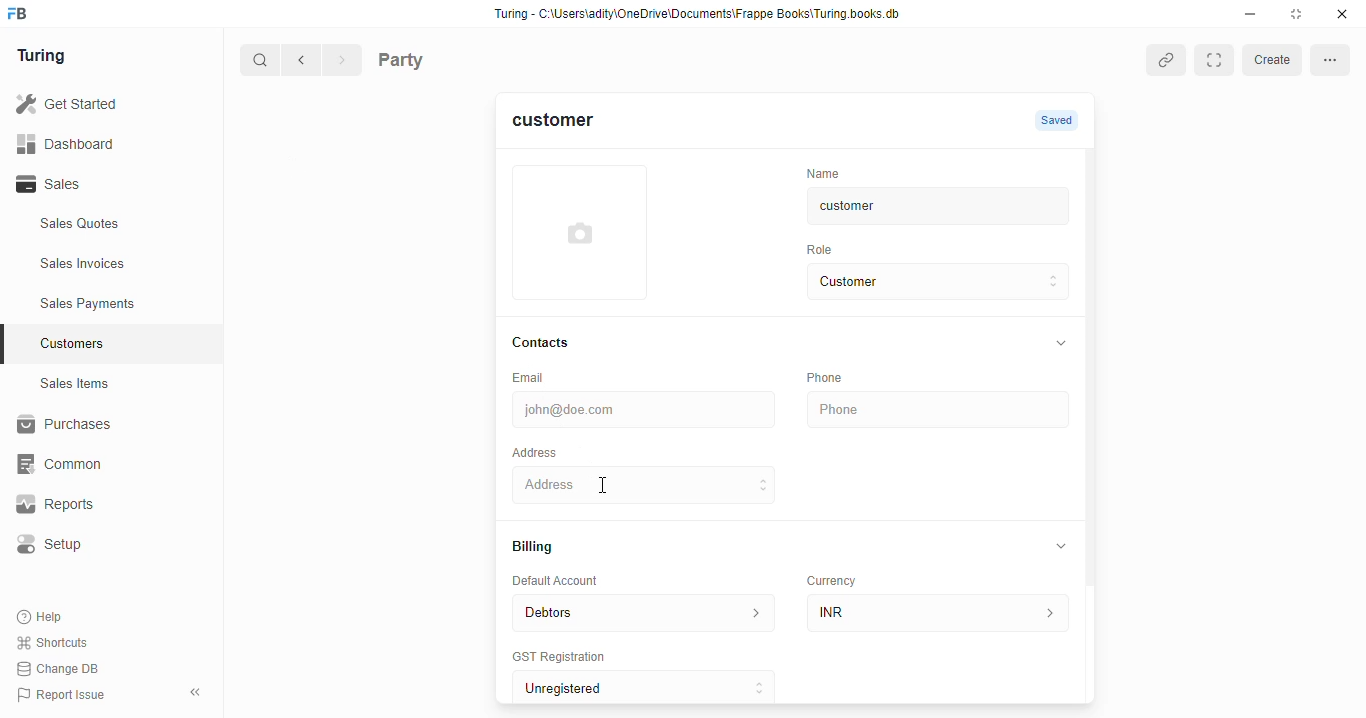 This screenshot has height=718, width=1366. Describe the element at coordinates (91, 505) in the screenshot. I see `Reports` at that location.